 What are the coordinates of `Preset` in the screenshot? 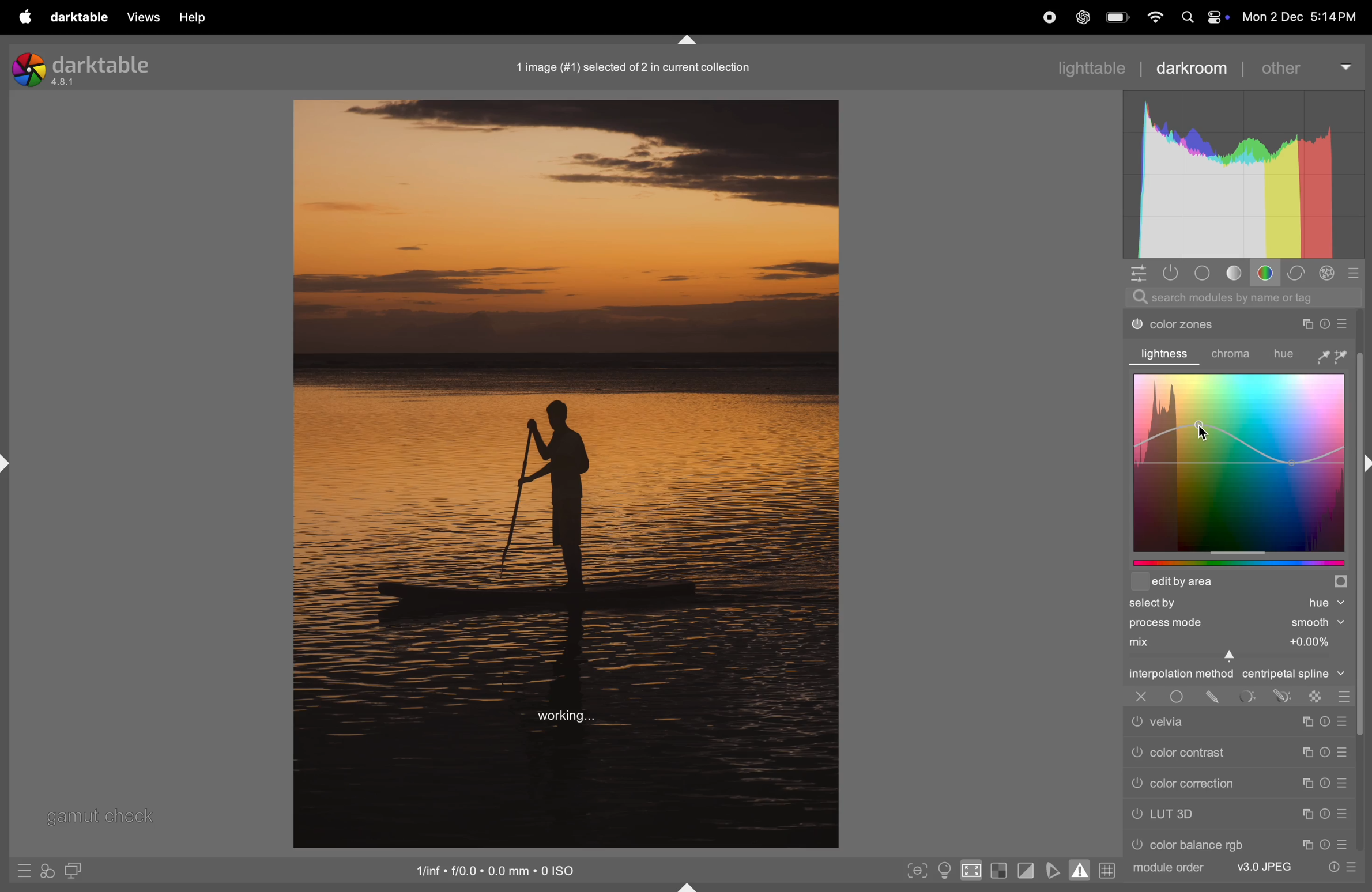 It's located at (1344, 721).